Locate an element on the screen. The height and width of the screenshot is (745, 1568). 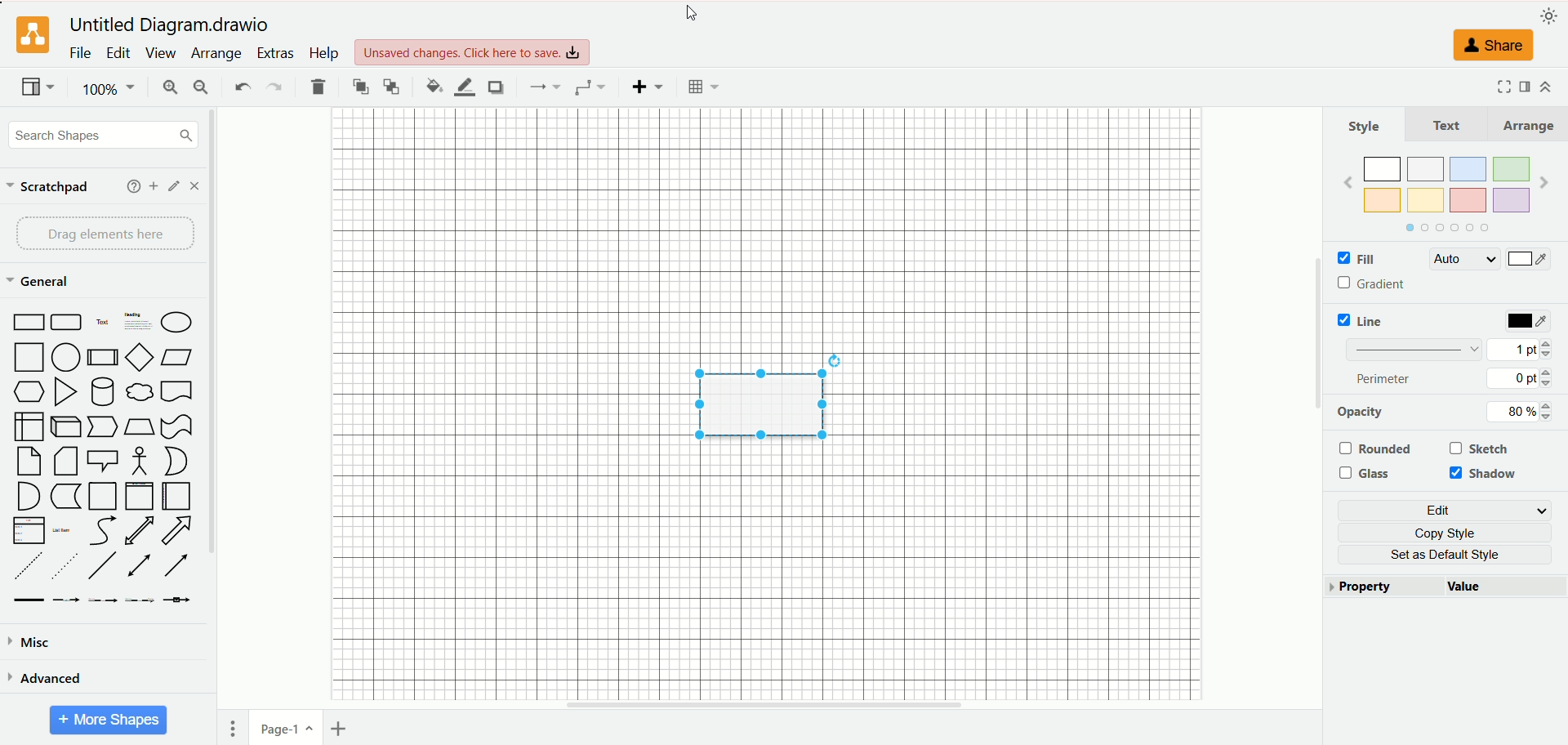
glass is located at coordinates (1369, 474).